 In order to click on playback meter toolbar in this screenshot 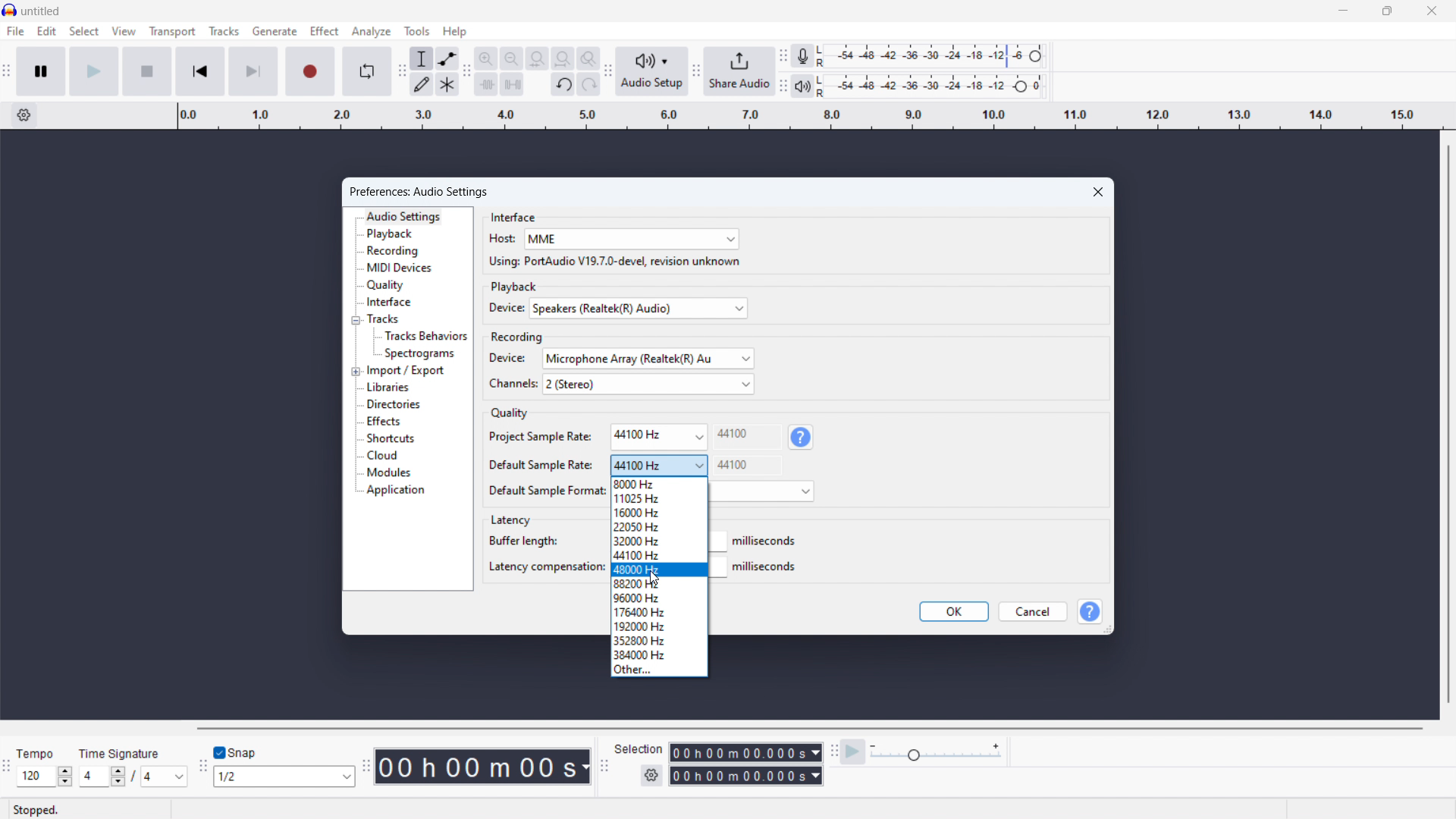, I will do `click(802, 86)`.